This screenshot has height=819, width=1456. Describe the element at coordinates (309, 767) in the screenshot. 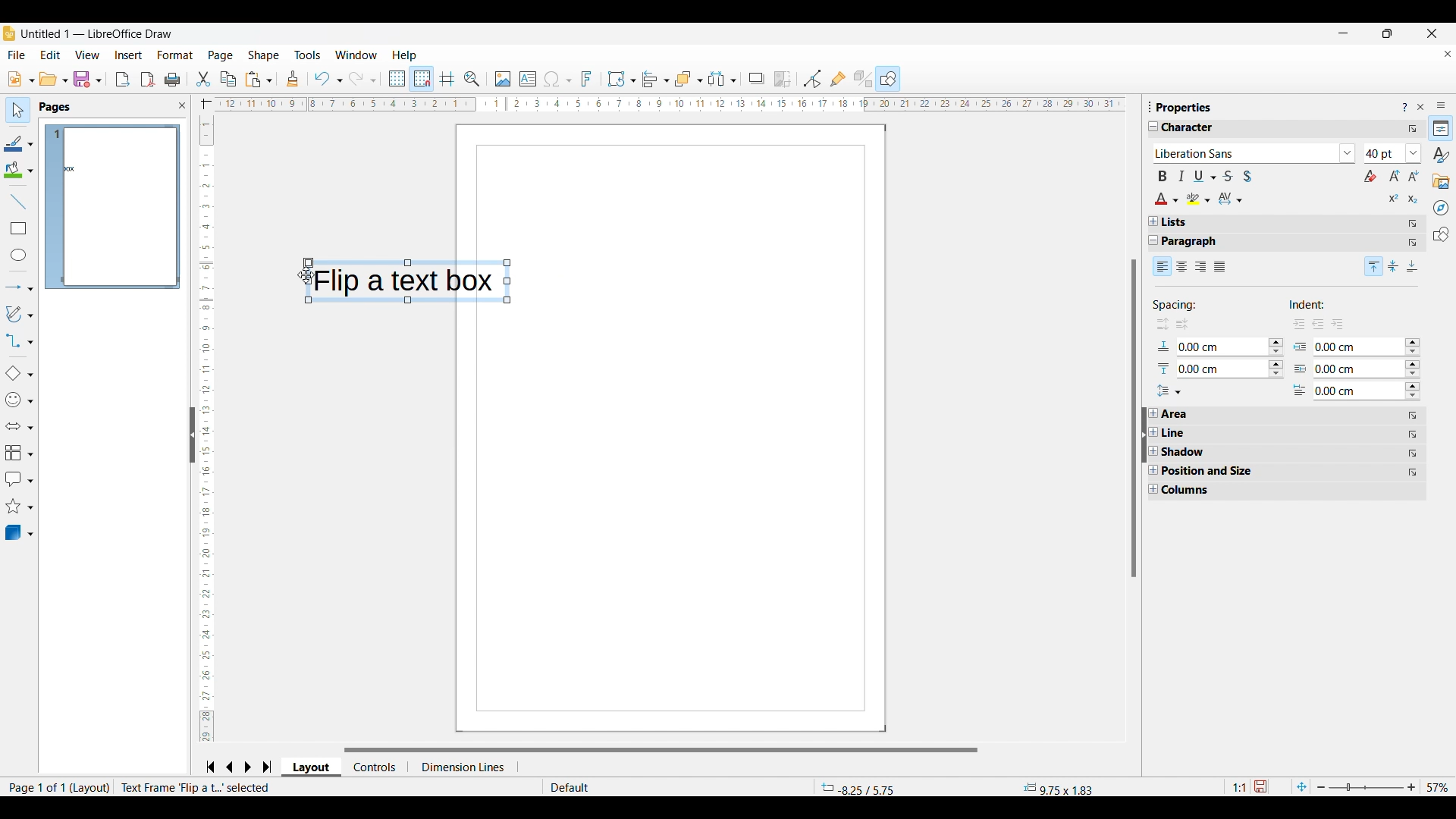

I see `Page layout options` at that location.